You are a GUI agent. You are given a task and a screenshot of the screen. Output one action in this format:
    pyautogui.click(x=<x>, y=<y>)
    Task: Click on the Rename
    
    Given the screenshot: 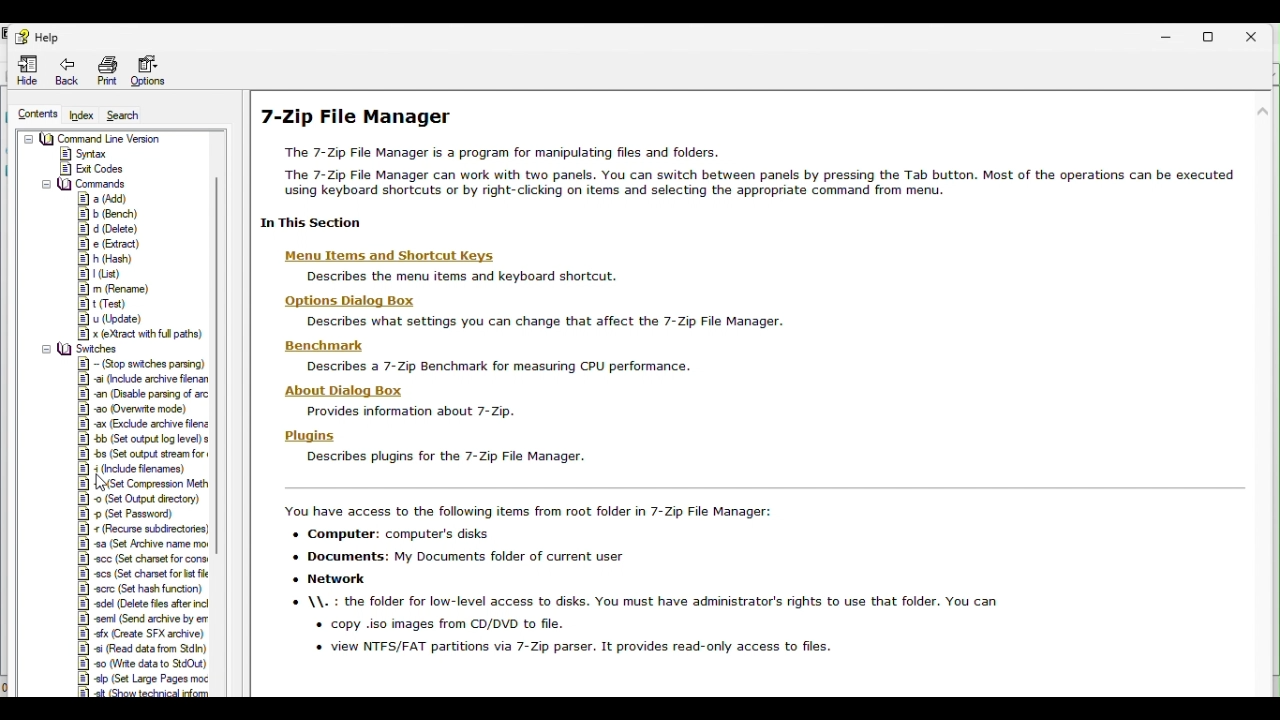 What is the action you would take?
    pyautogui.click(x=112, y=289)
    